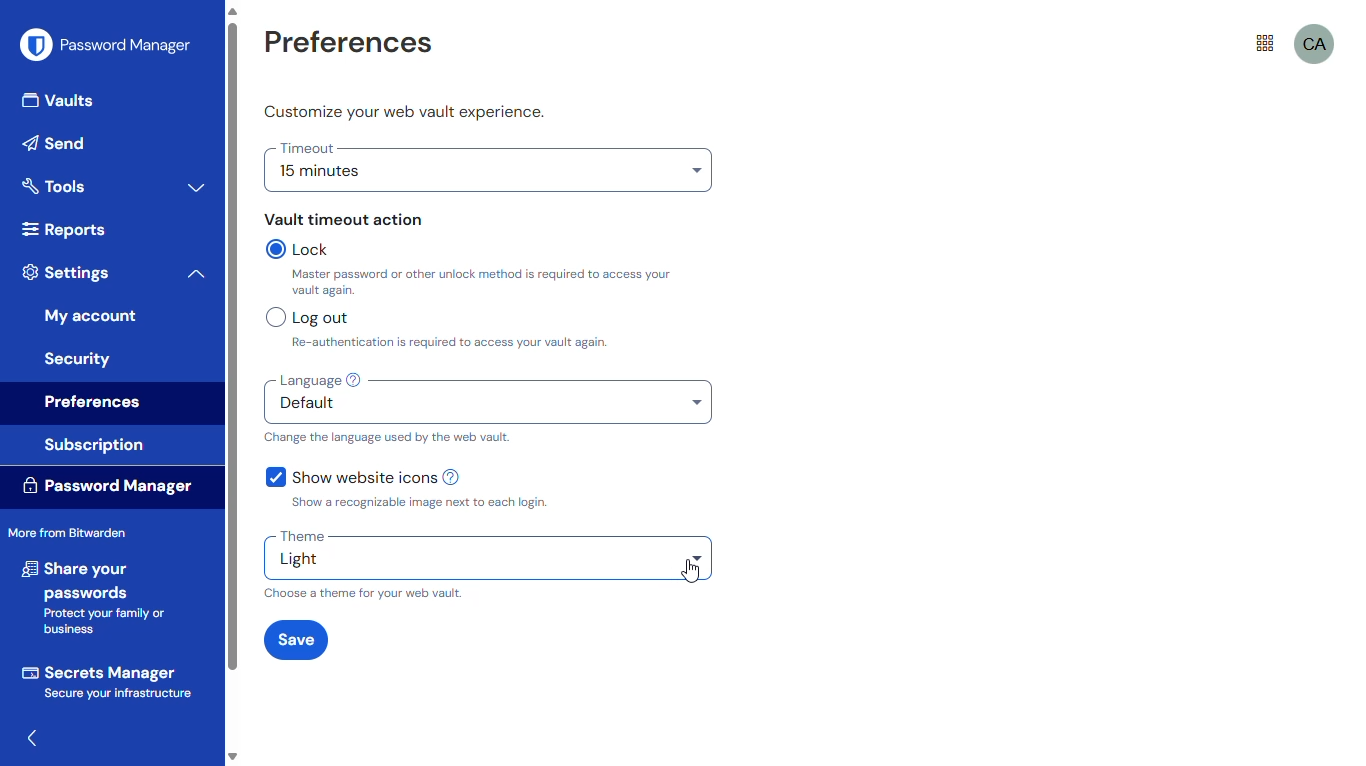 The width and height of the screenshot is (1366, 766). I want to click on vaults, so click(61, 103).